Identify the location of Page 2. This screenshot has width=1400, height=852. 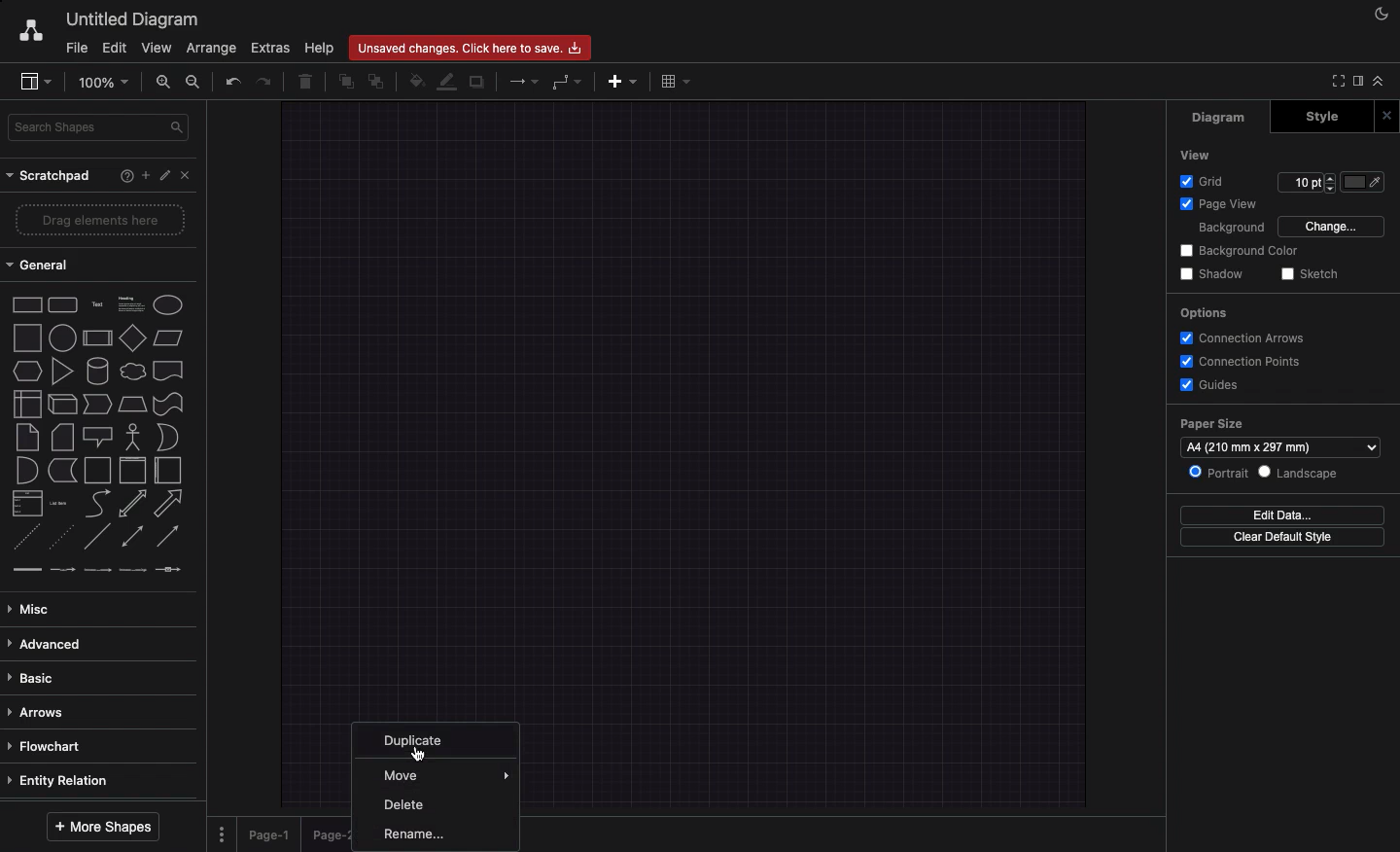
(328, 835).